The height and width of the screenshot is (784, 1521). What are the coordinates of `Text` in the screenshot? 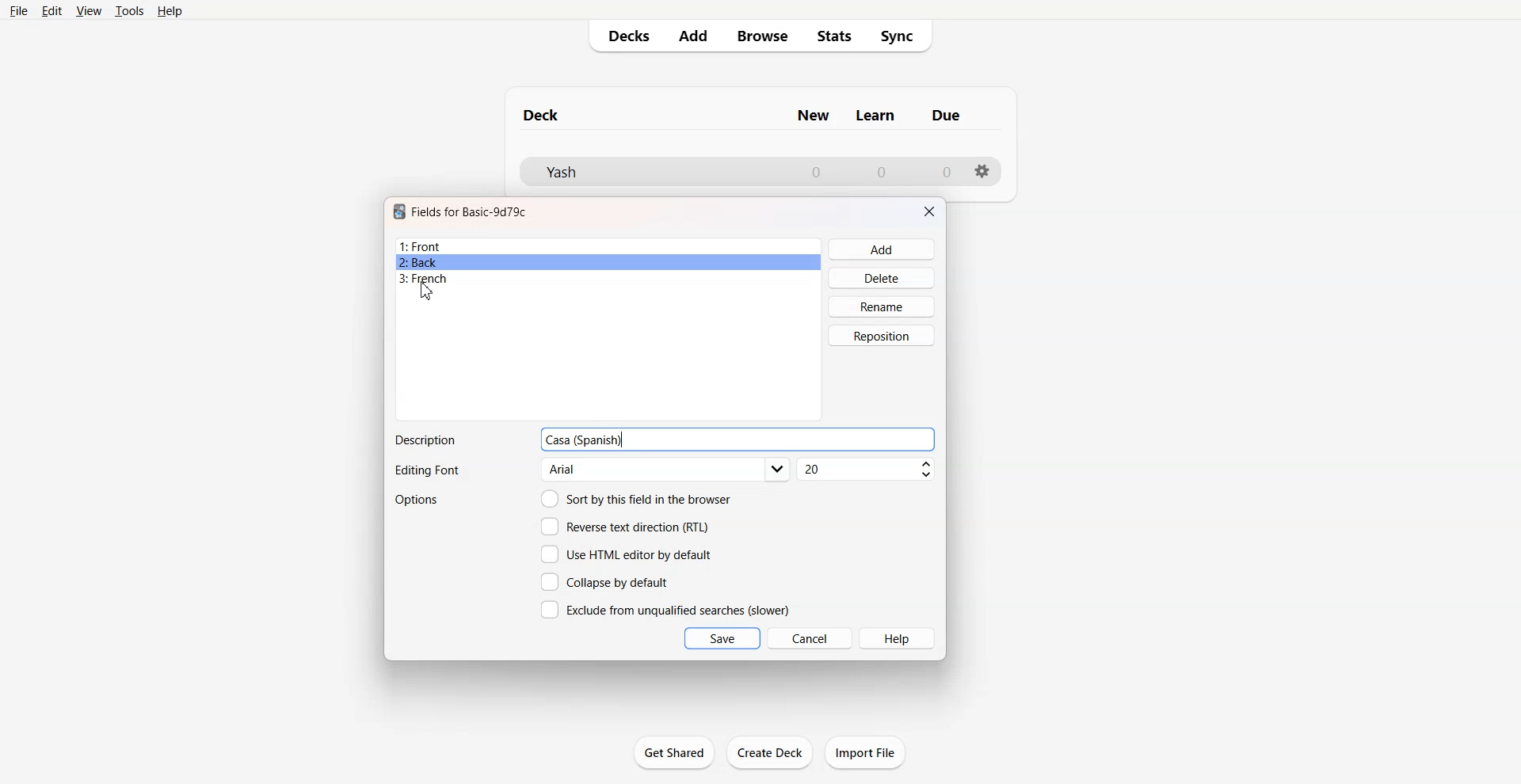 It's located at (425, 440).